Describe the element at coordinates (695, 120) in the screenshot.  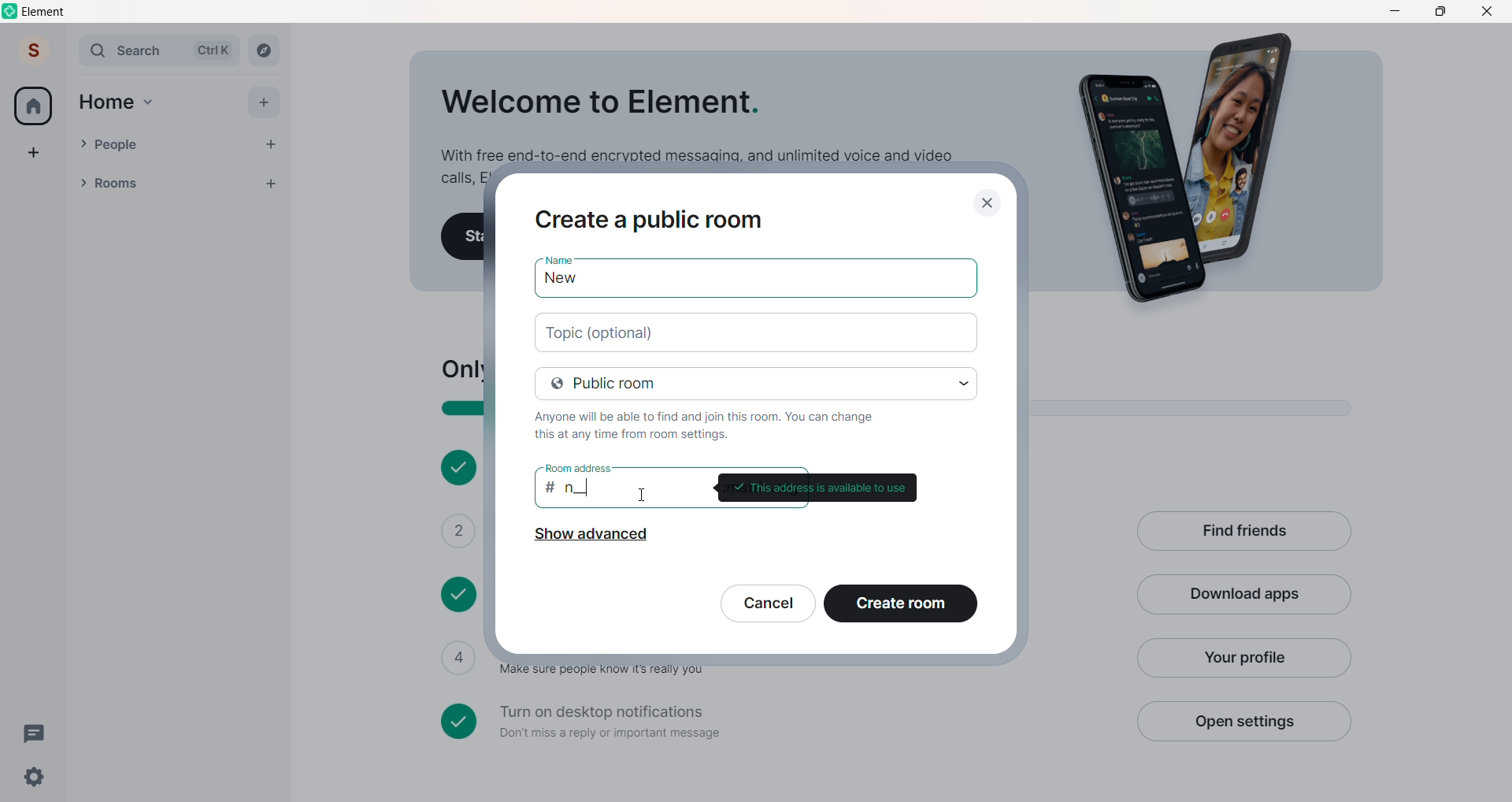
I see `Welcome to Element.
With free end-to-end encrypted messaging, and unlimited voice and video
calls, Element is a great way to stay in touch.` at that location.